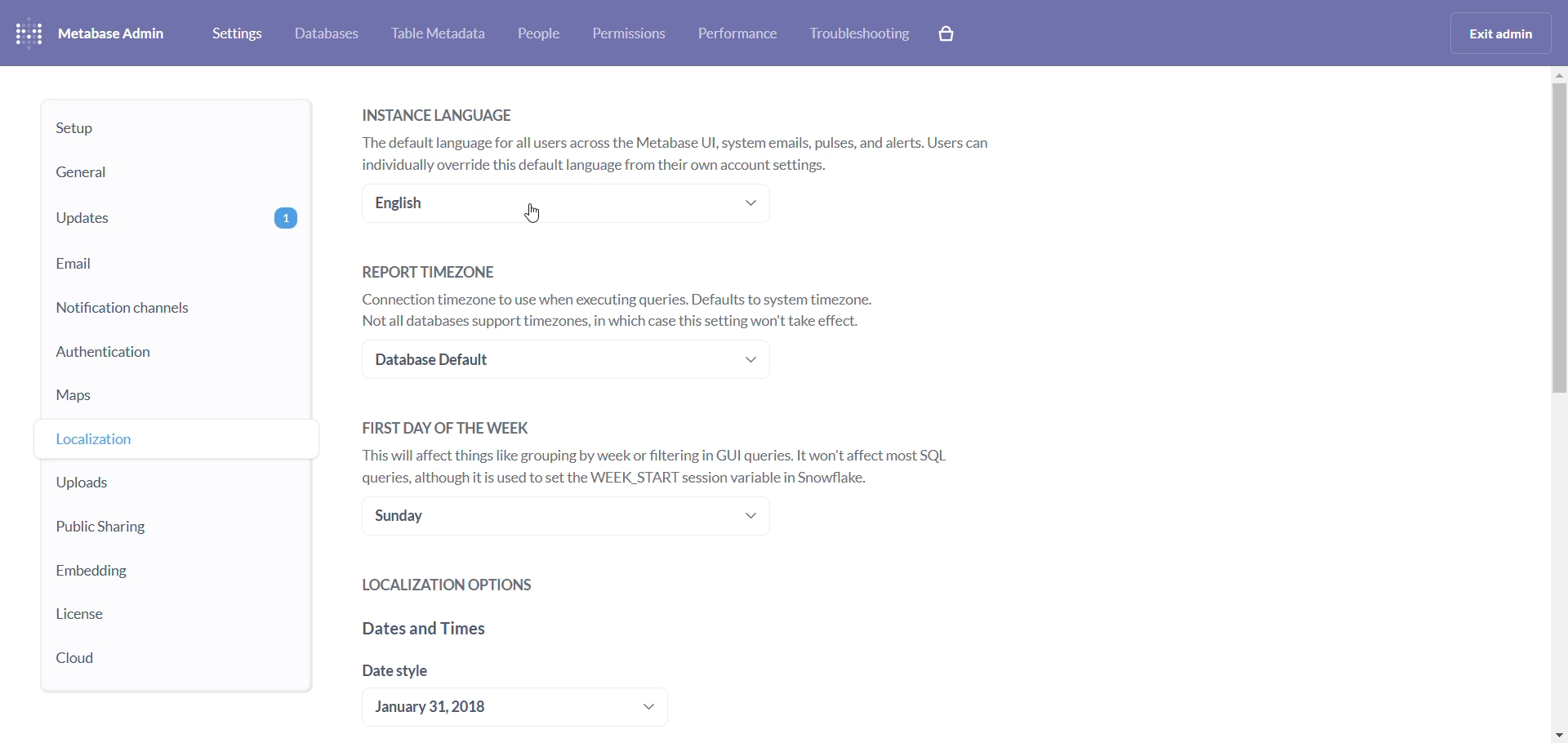 Image resolution: width=1568 pixels, height=743 pixels. Describe the element at coordinates (166, 398) in the screenshot. I see `maps` at that location.